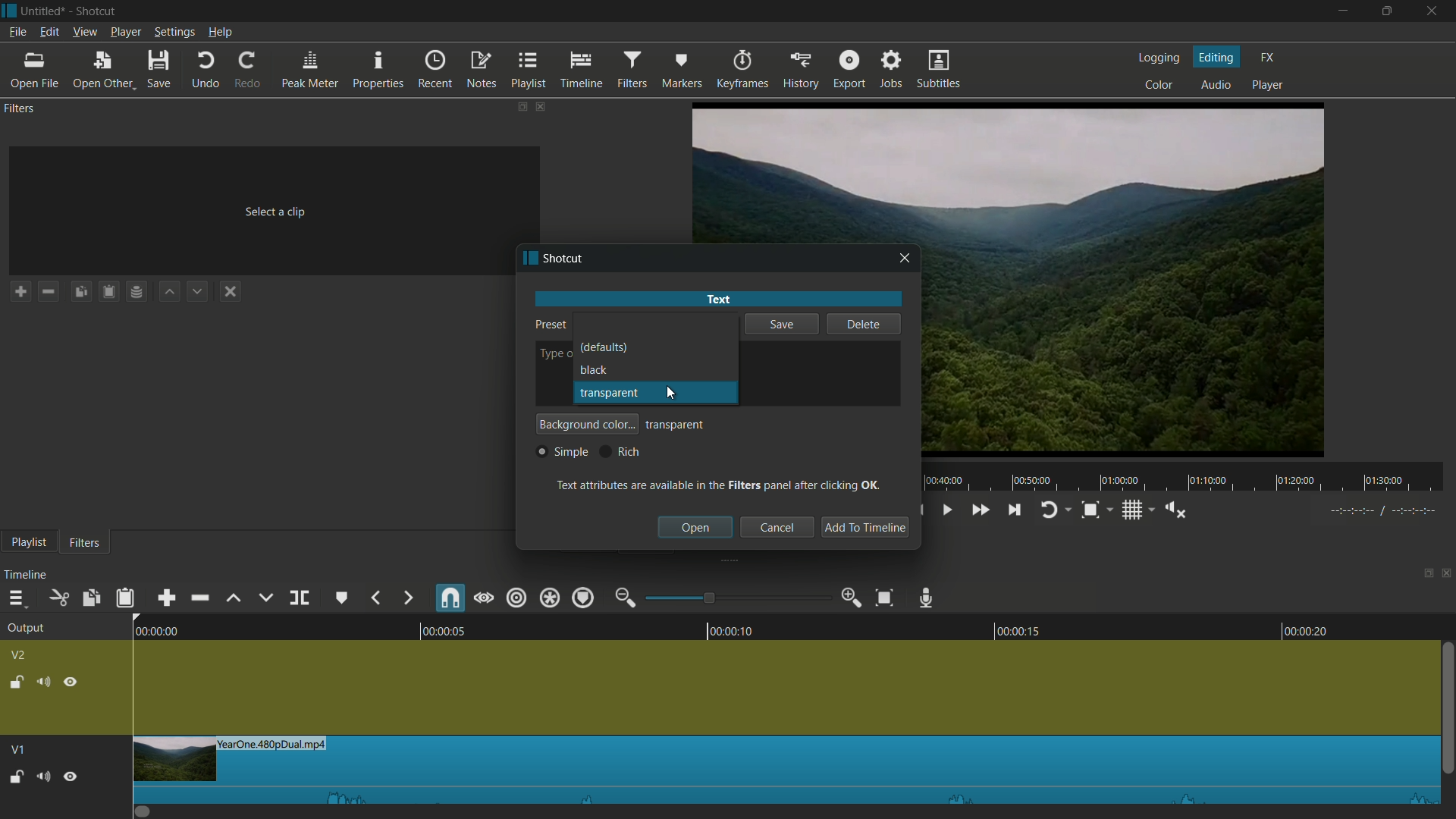 Image resolution: width=1456 pixels, height=819 pixels. Describe the element at coordinates (88, 542) in the screenshot. I see `filters` at that location.